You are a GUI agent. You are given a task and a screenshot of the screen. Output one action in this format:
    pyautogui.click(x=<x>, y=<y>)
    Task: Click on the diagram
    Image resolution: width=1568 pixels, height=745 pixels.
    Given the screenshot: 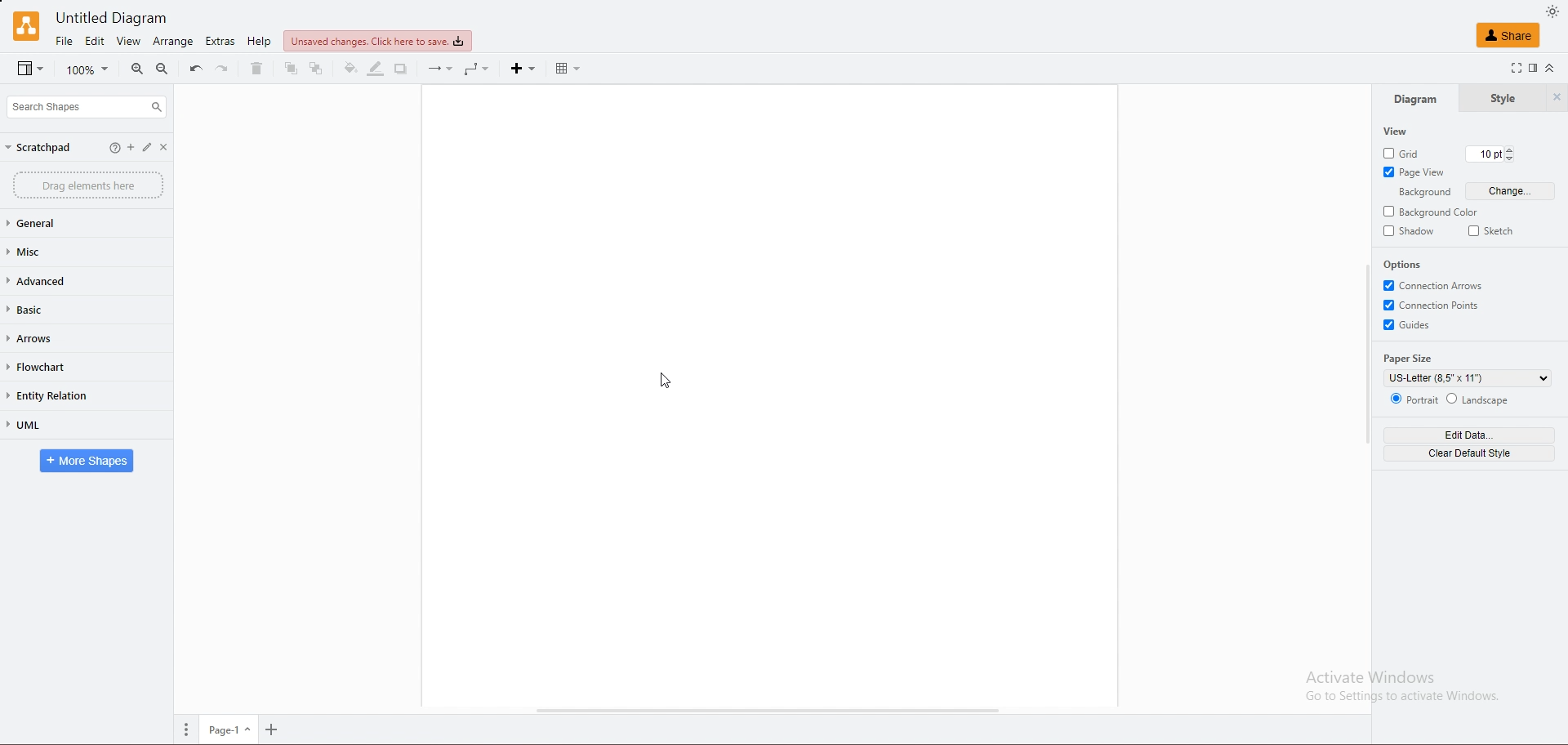 What is the action you would take?
    pyautogui.click(x=1414, y=98)
    